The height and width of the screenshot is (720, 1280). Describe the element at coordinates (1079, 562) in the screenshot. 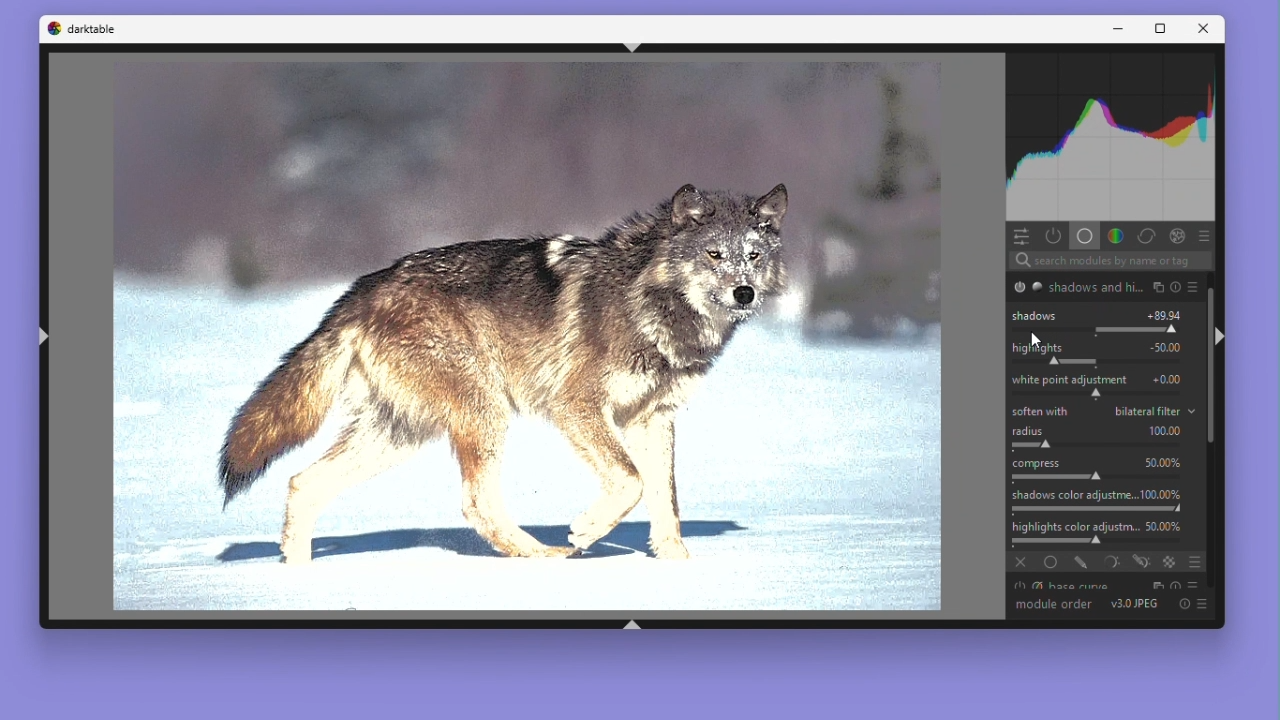

I see `drawn mask` at that location.